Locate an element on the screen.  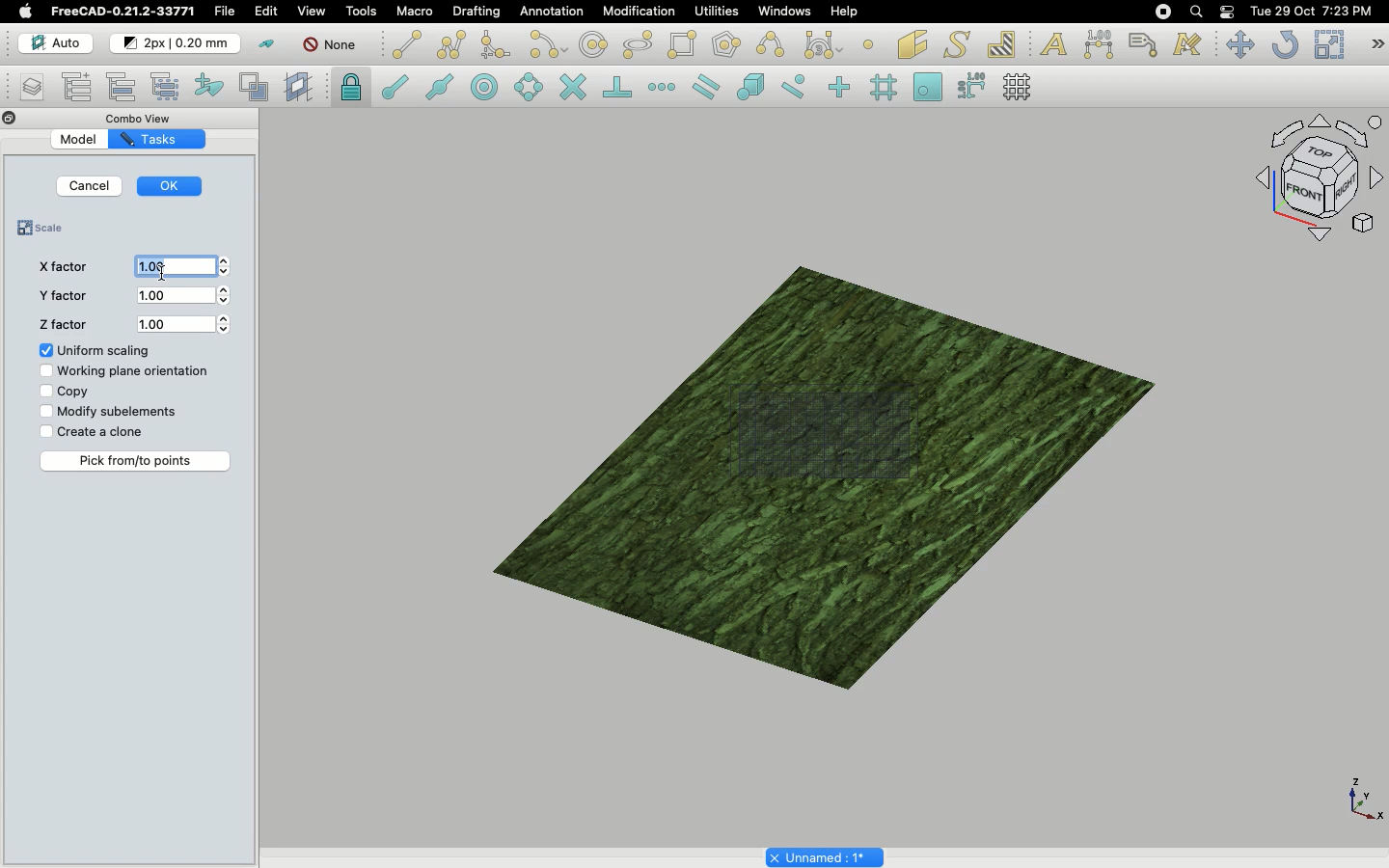
Circle is located at coordinates (593, 44).